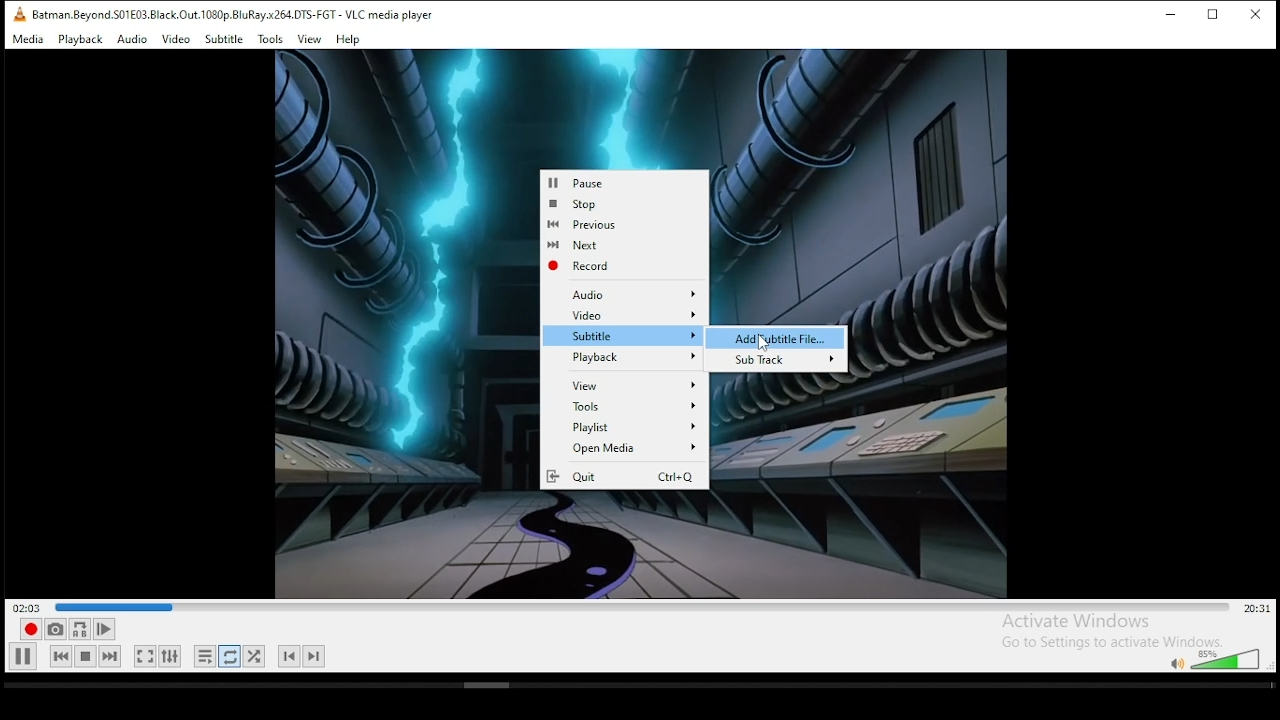 The width and height of the screenshot is (1280, 720). I want to click on Previous, so click(618, 225).